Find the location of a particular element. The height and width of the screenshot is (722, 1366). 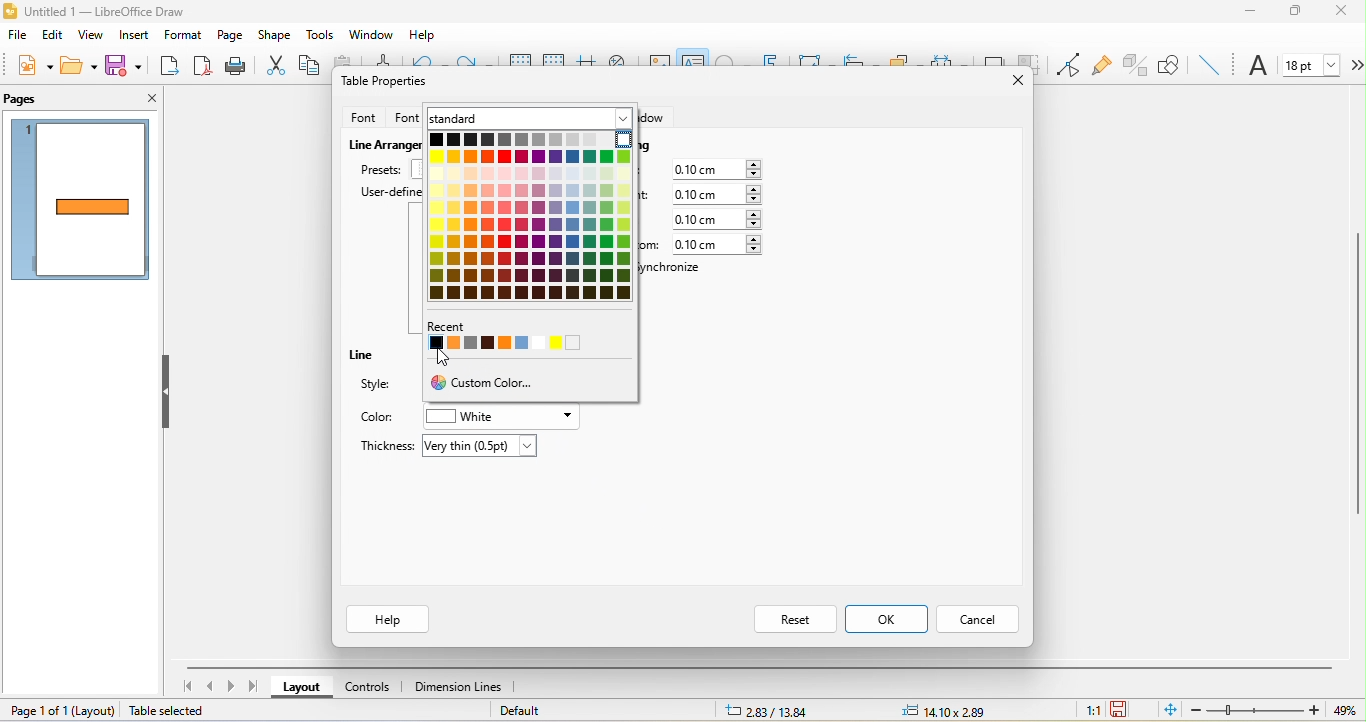

copy is located at coordinates (313, 66).